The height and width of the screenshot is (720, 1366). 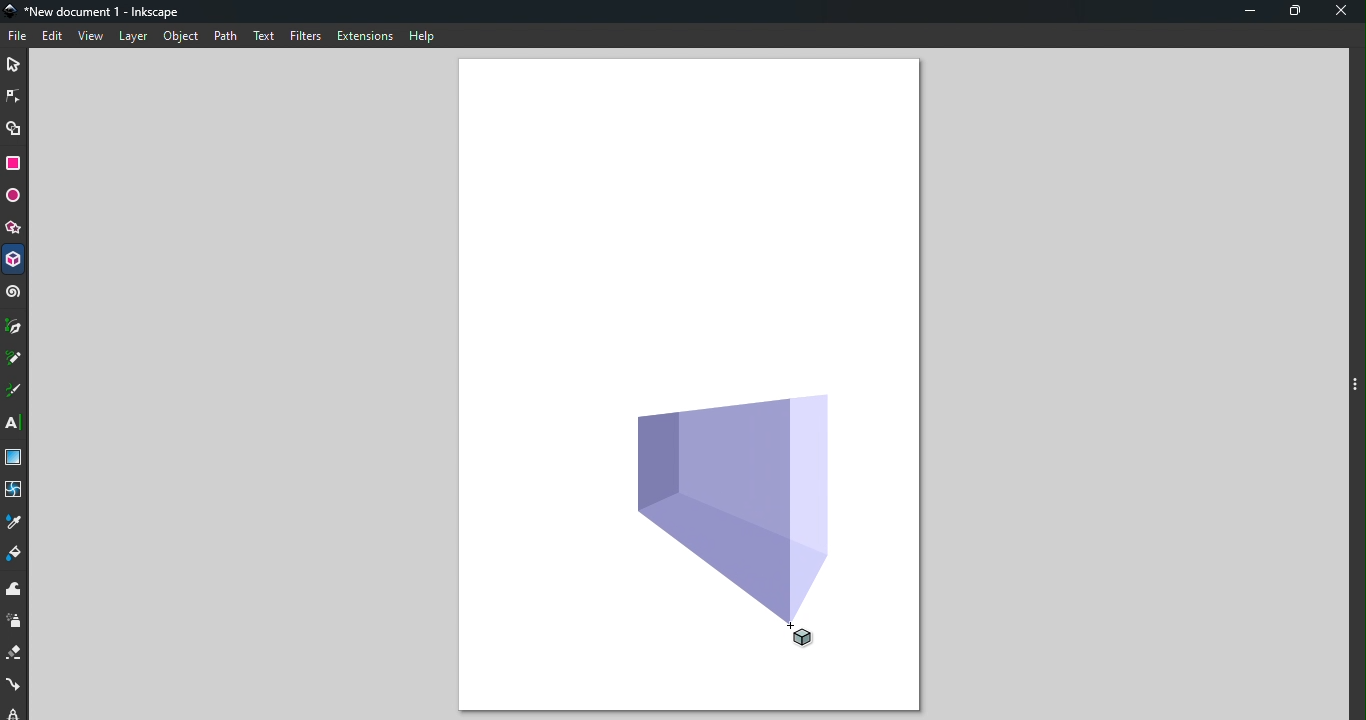 I want to click on Shape builder tool, so click(x=14, y=127).